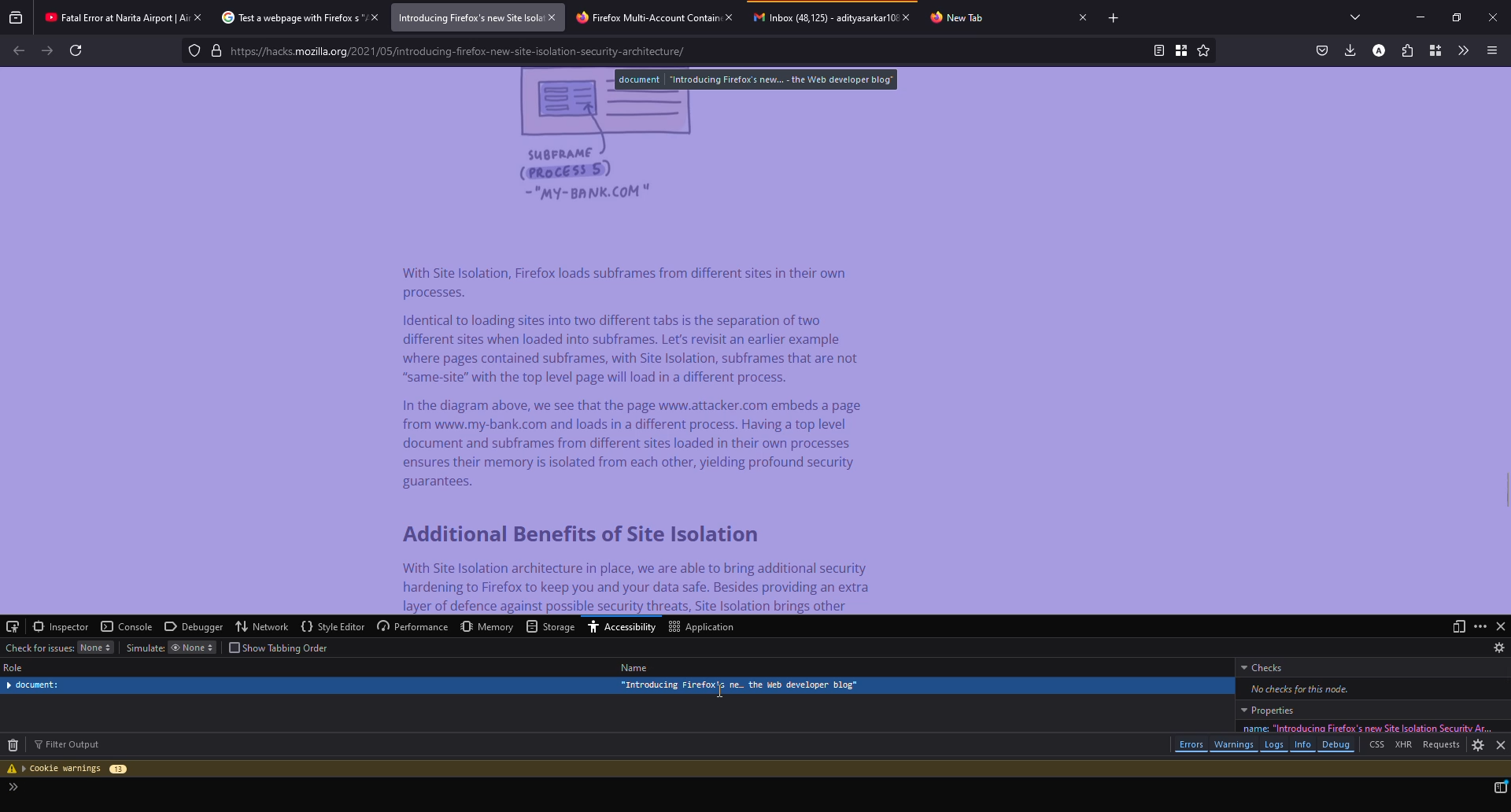 The width and height of the screenshot is (1511, 812). Describe the element at coordinates (1439, 744) in the screenshot. I see `requests` at that location.